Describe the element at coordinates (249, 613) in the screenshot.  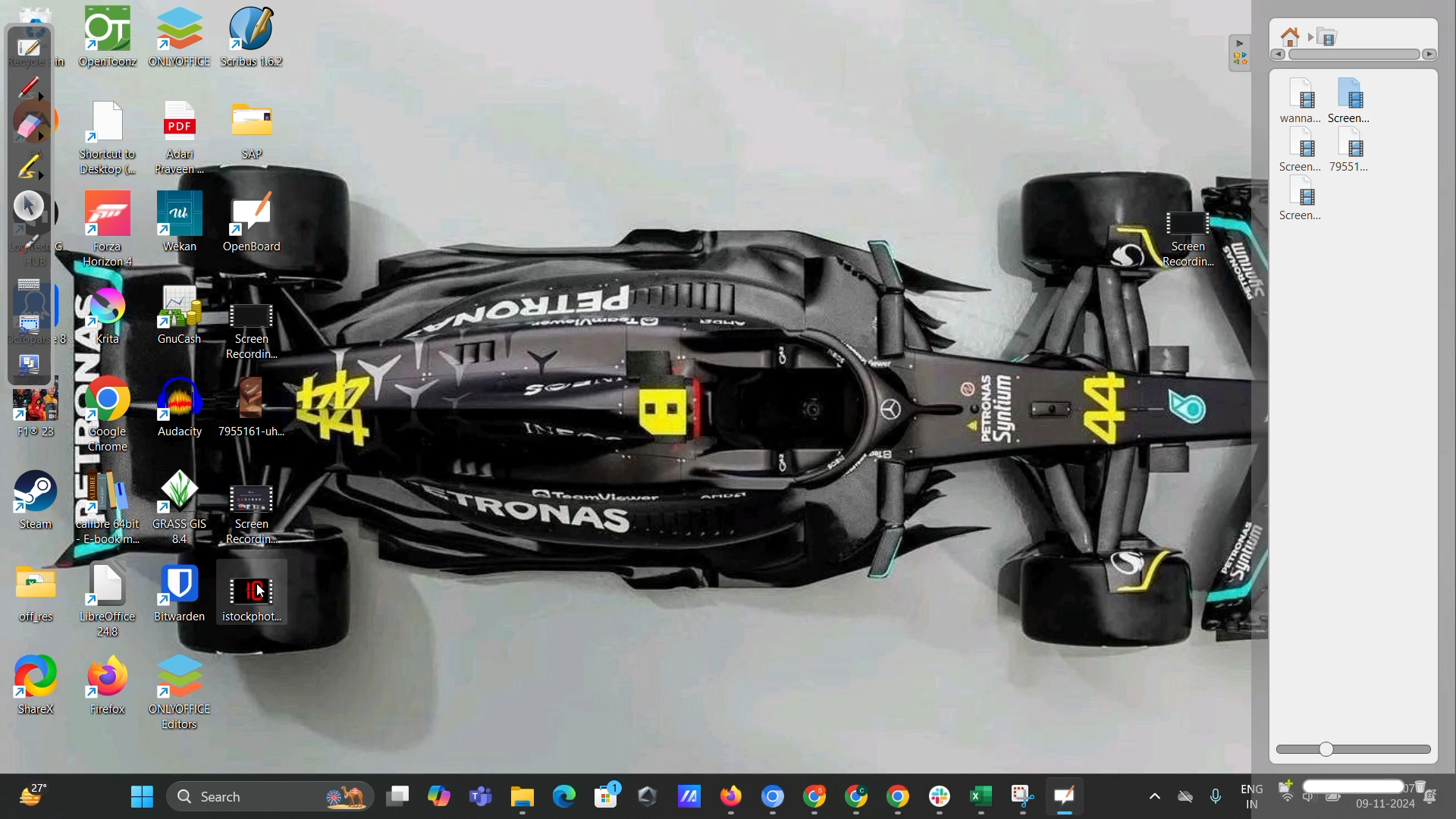
I see `istockphoto` at that location.